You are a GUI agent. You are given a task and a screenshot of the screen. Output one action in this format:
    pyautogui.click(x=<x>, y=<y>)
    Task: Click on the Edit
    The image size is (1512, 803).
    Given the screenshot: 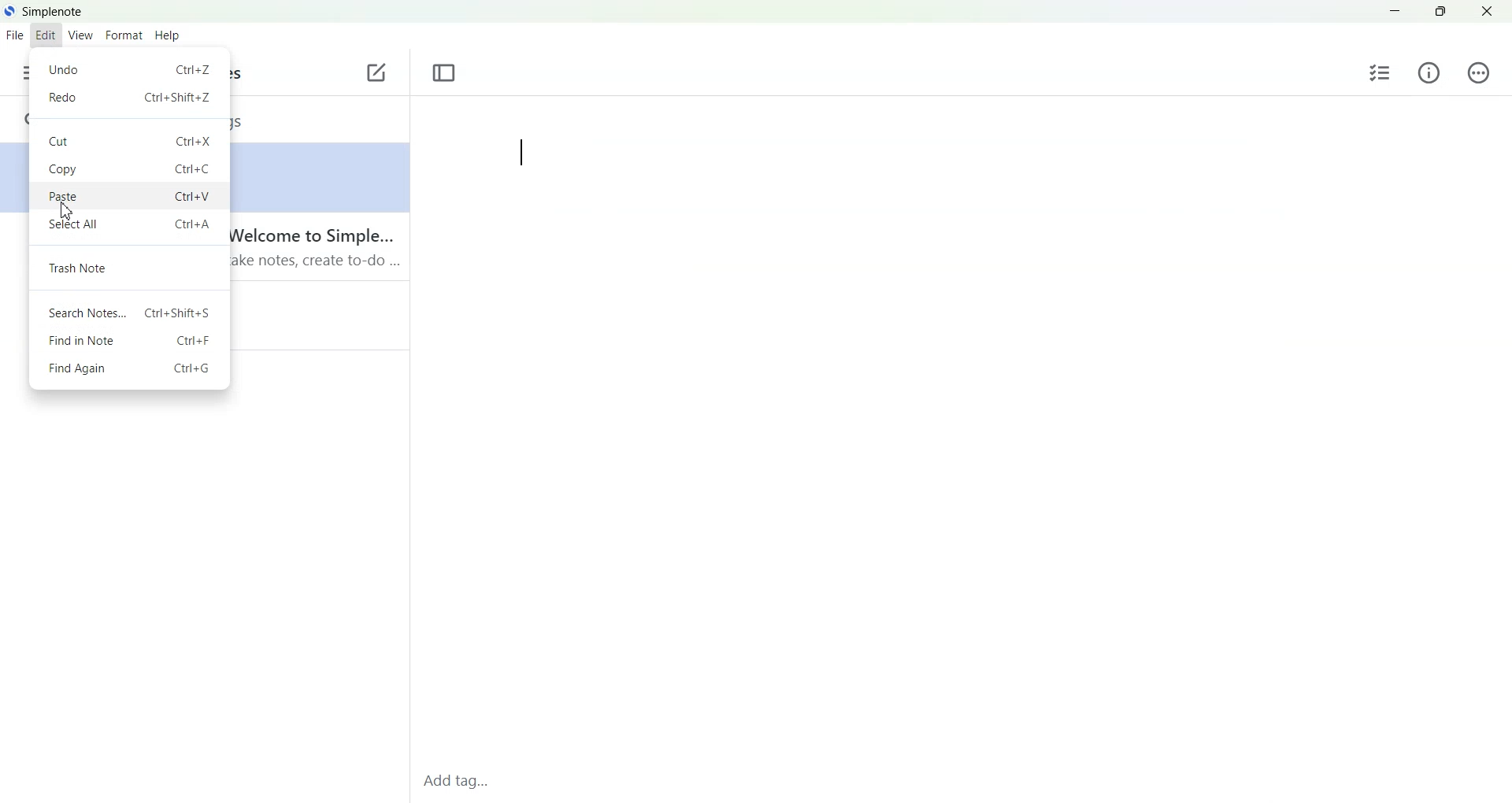 What is the action you would take?
    pyautogui.click(x=46, y=35)
    